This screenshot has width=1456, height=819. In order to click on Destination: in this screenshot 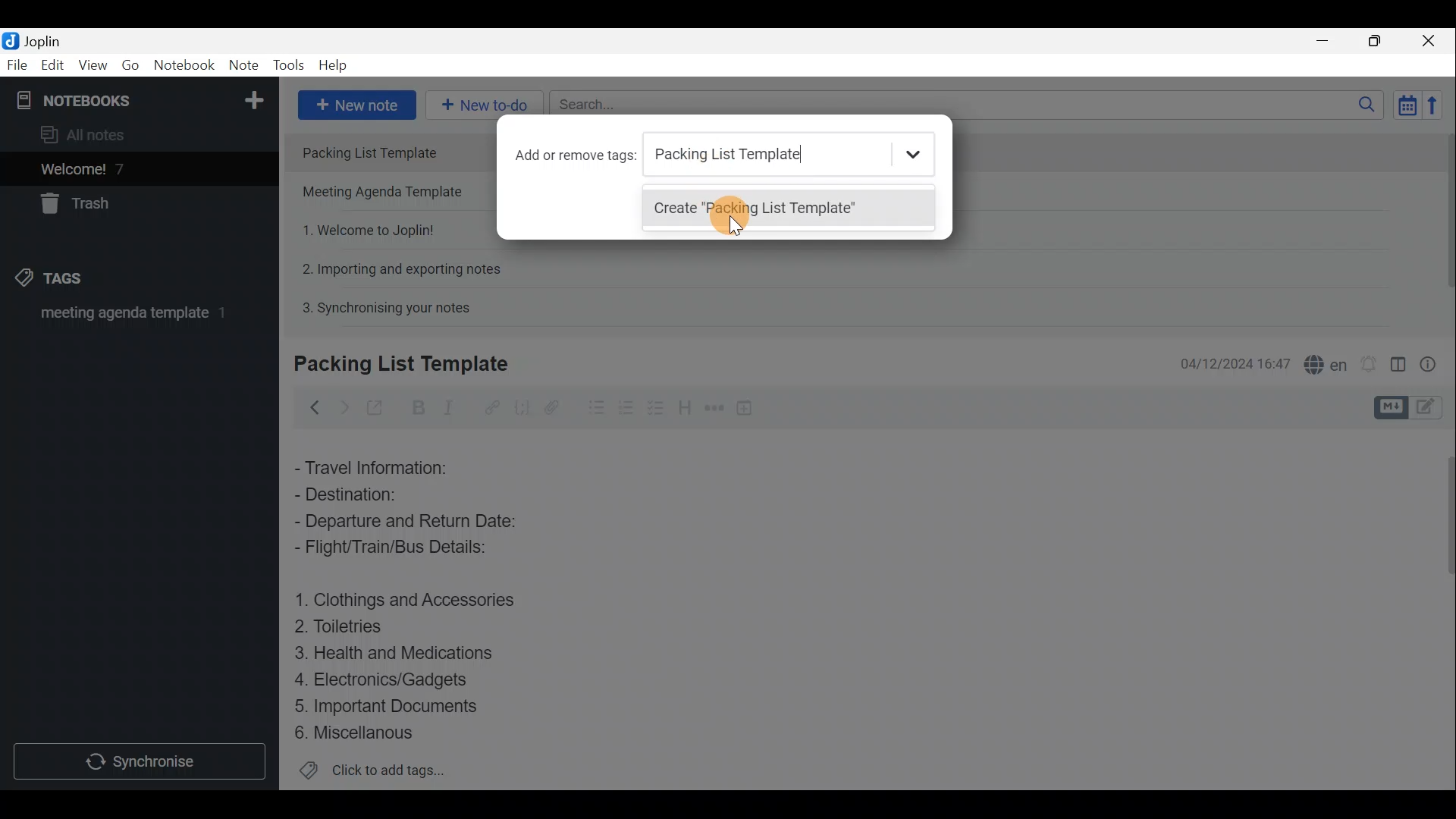, I will do `click(378, 494)`.